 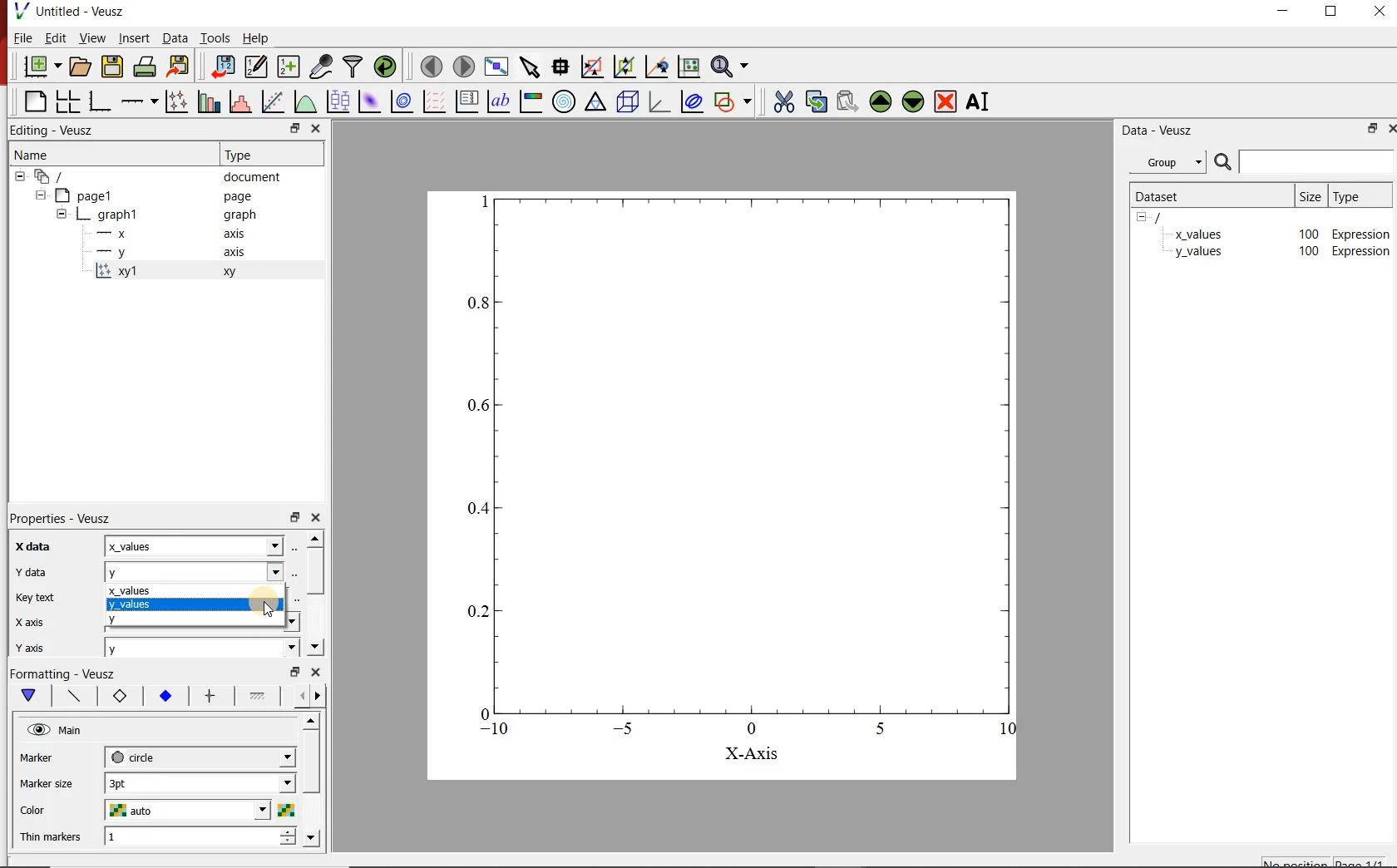 What do you see at coordinates (295, 671) in the screenshot?
I see `restore down` at bounding box center [295, 671].